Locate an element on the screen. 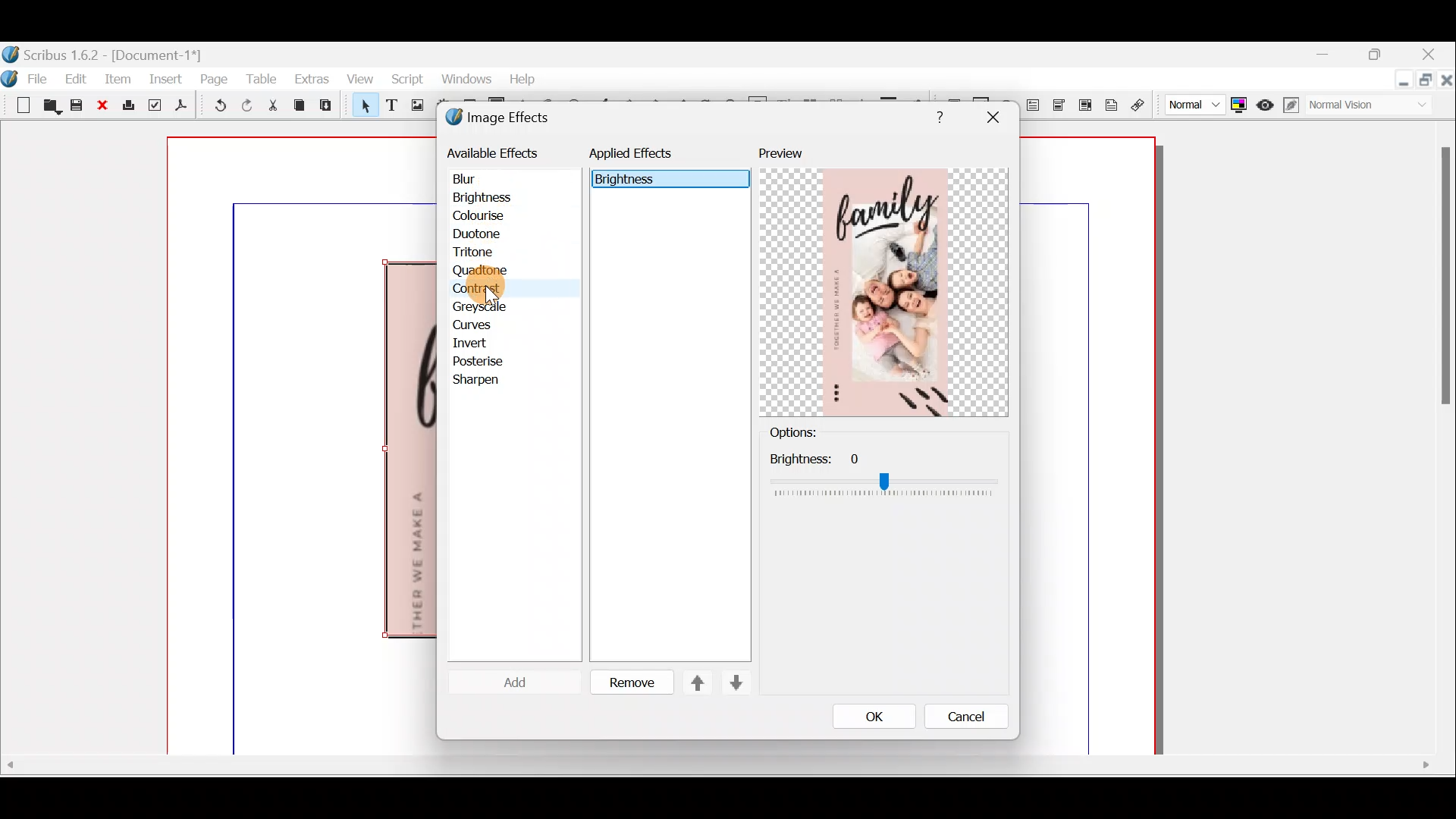 The height and width of the screenshot is (819, 1456). Visual appearance of display is located at coordinates (1376, 107).